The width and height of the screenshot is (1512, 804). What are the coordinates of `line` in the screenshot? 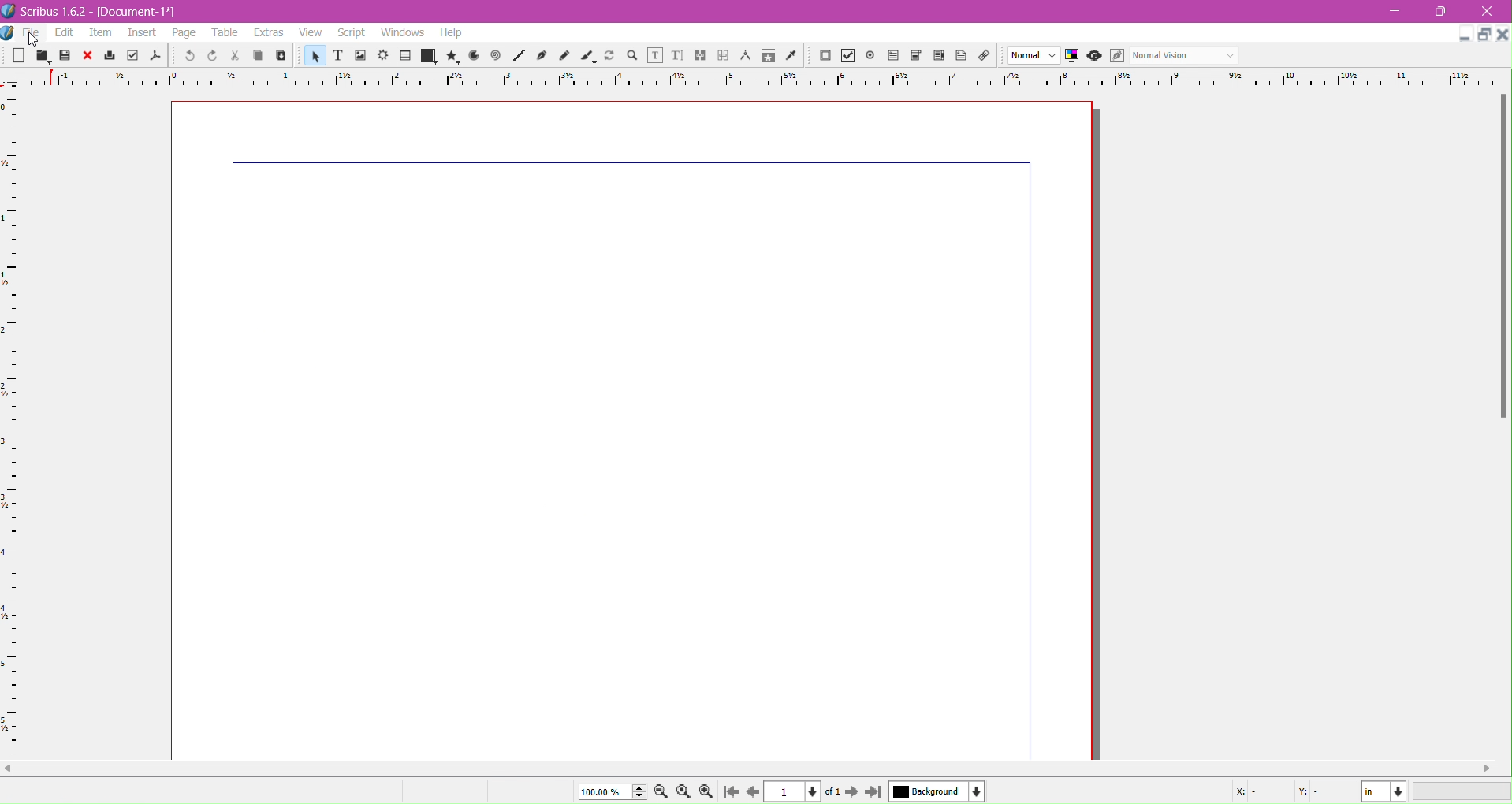 It's located at (519, 57).